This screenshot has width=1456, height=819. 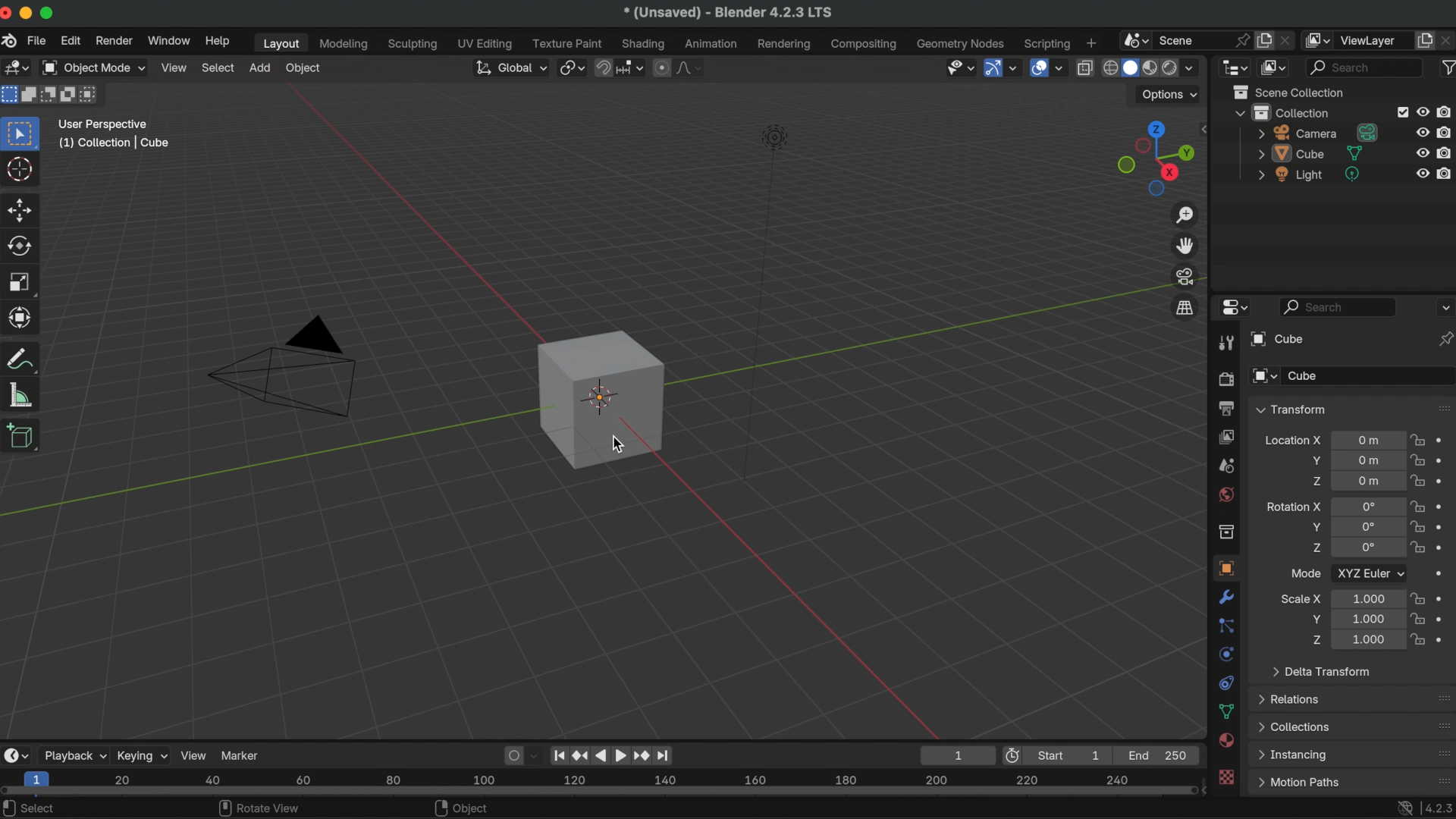 What do you see at coordinates (259, 67) in the screenshot?
I see `add` at bounding box center [259, 67].